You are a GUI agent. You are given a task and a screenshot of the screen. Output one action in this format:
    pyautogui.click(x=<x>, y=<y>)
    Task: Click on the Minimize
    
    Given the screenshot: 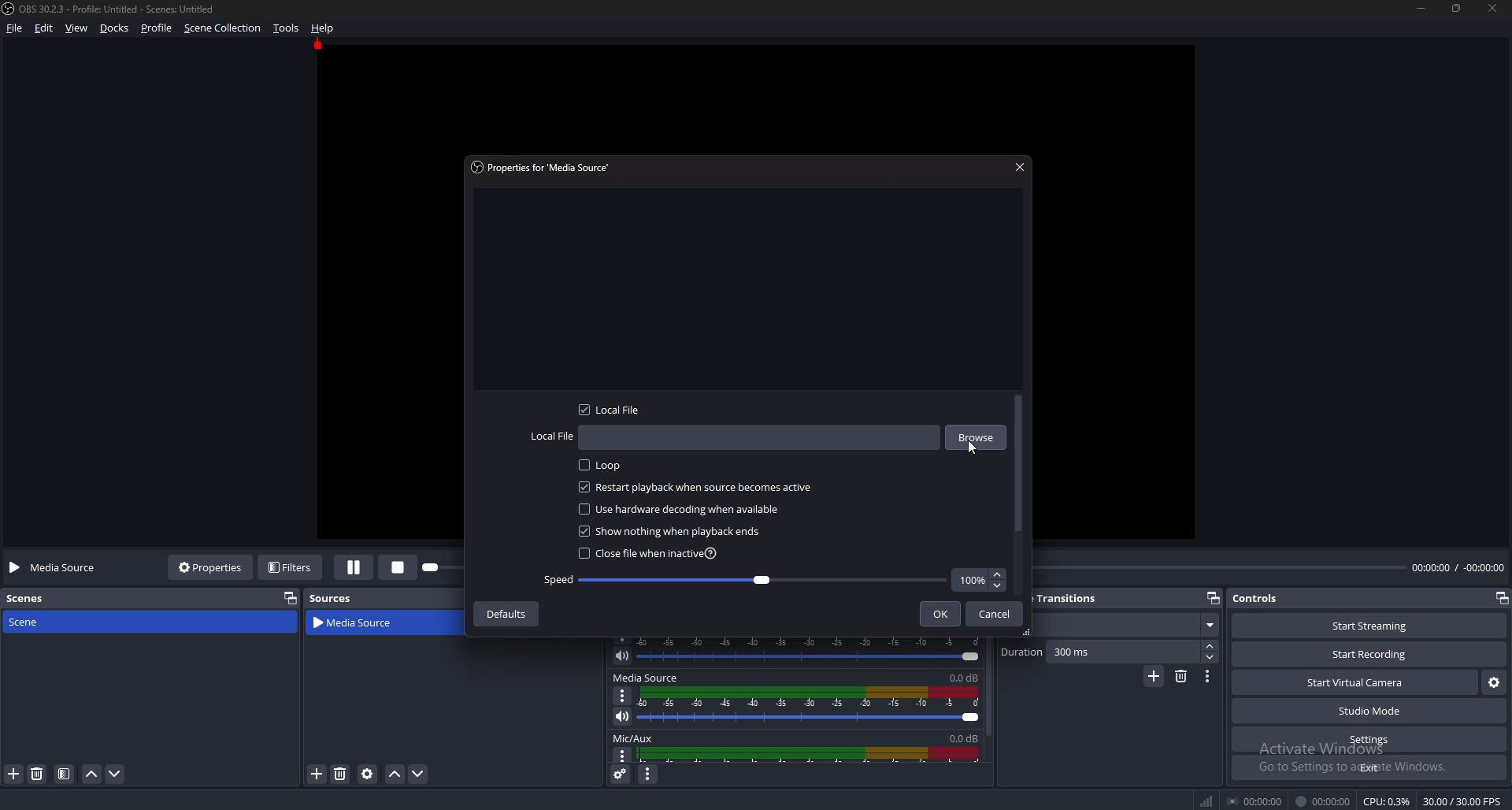 What is the action you would take?
    pyautogui.click(x=1420, y=8)
    